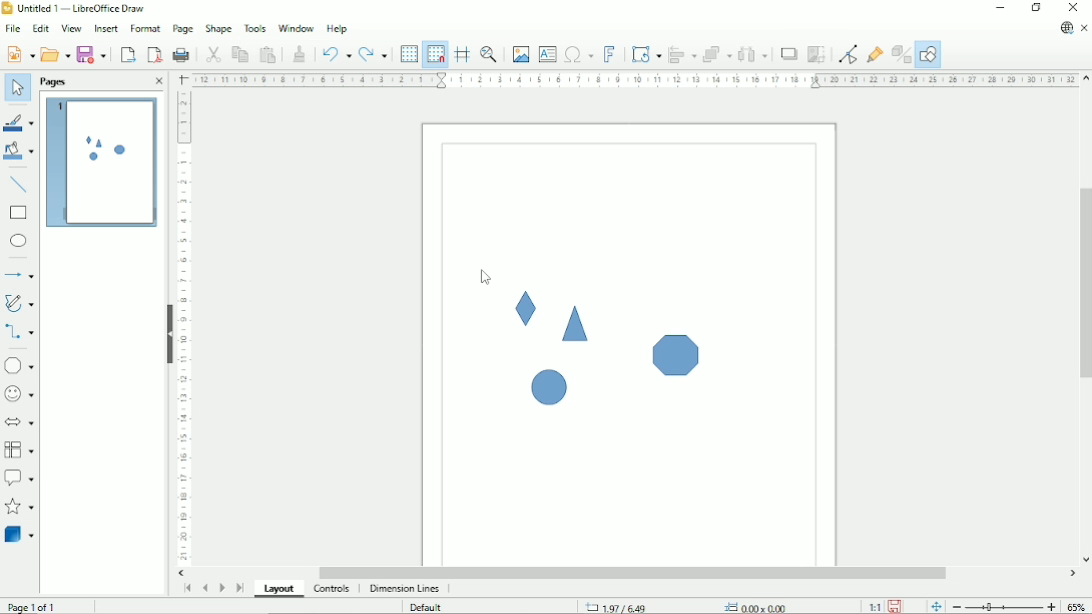 The image size is (1092, 614). What do you see at coordinates (786, 53) in the screenshot?
I see `Shadow` at bounding box center [786, 53].